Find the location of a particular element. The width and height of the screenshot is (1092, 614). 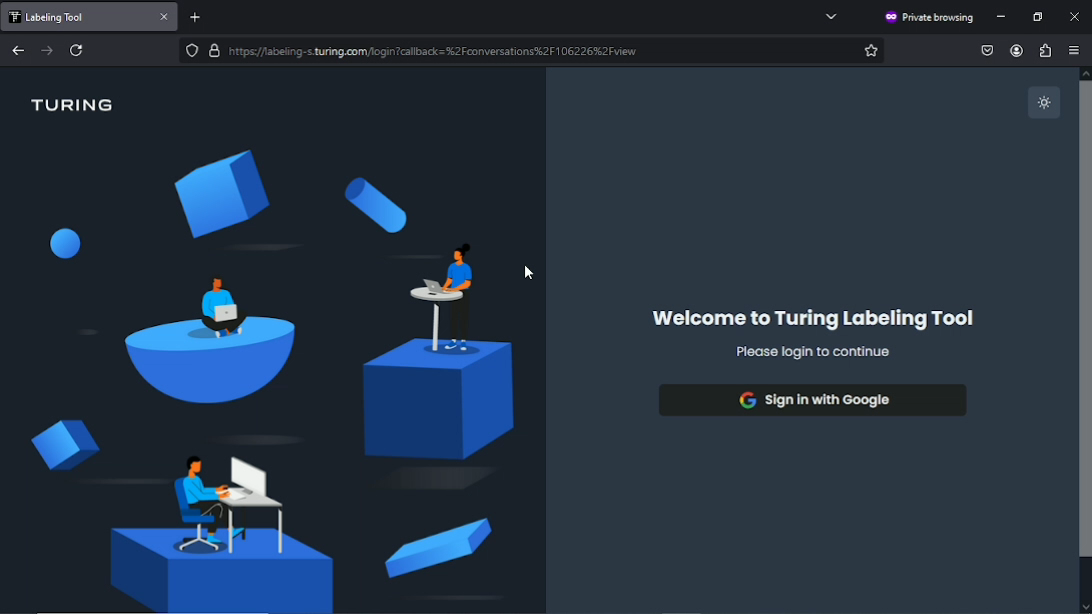

vertical scrollbar is located at coordinates (1084, 340).